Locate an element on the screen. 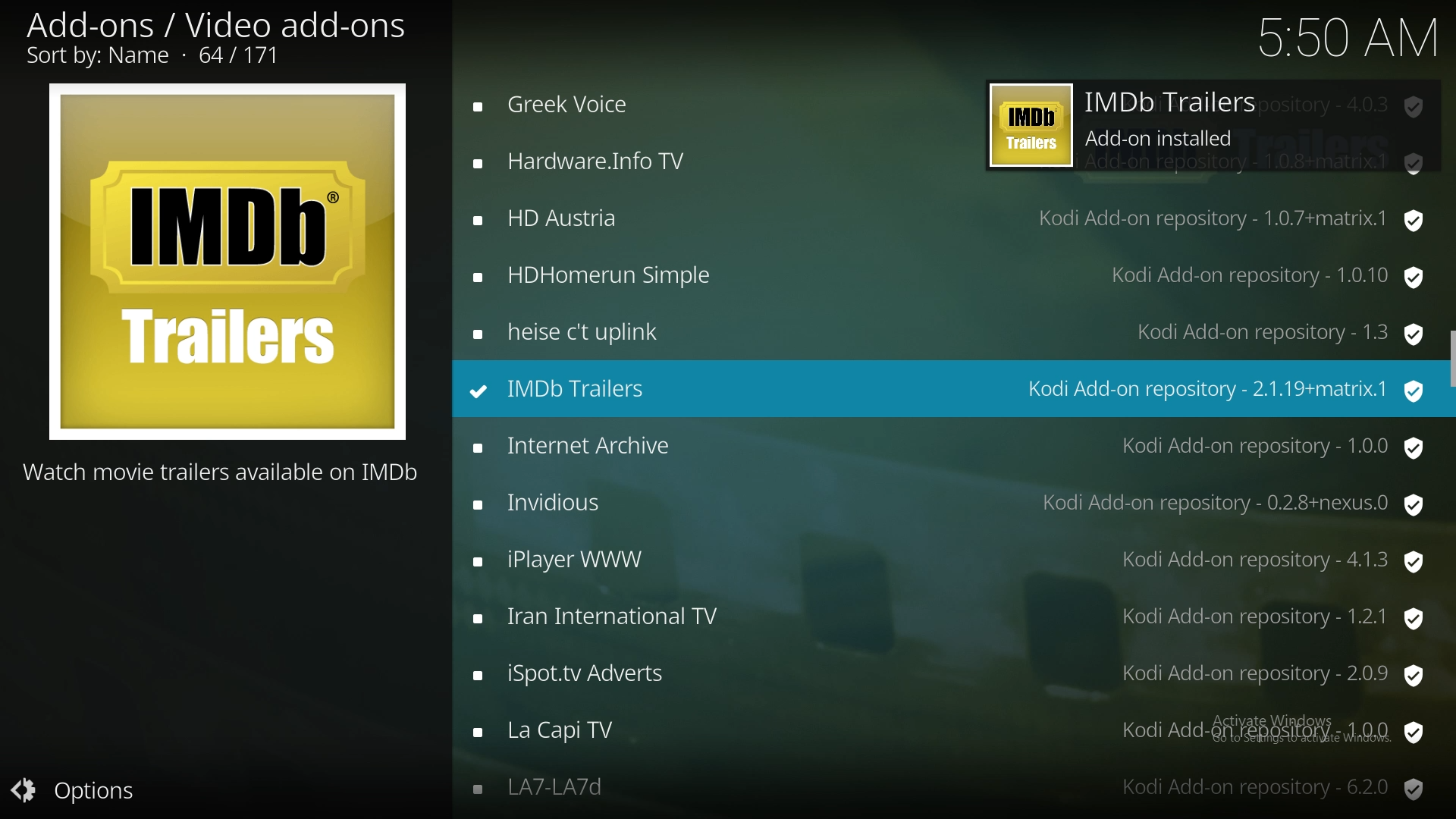  installed add on is located at coordinates (940, 393).